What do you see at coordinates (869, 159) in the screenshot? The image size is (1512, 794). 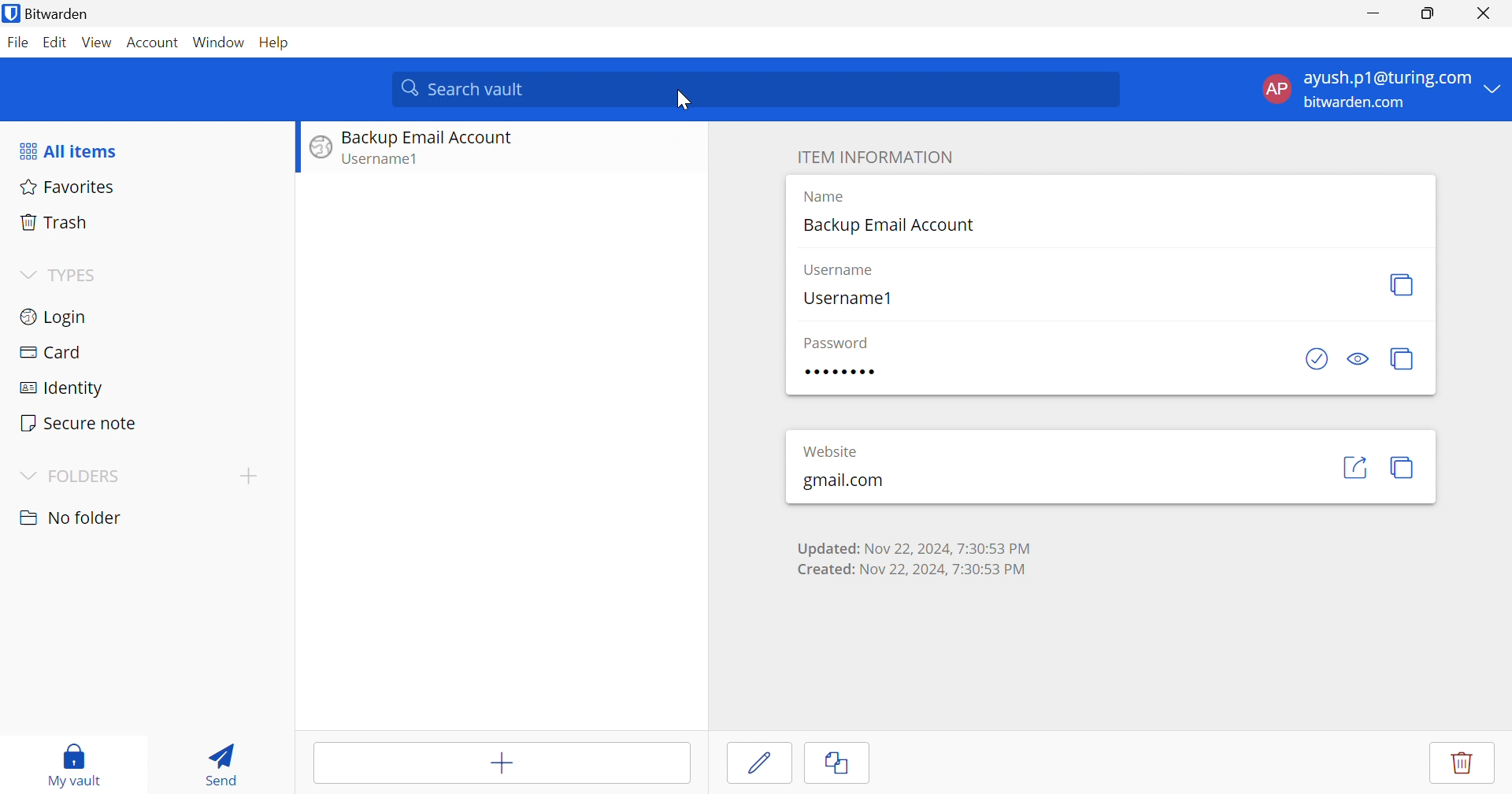 I see `ITEM INFORMATION` at bounding box center [869, 159].